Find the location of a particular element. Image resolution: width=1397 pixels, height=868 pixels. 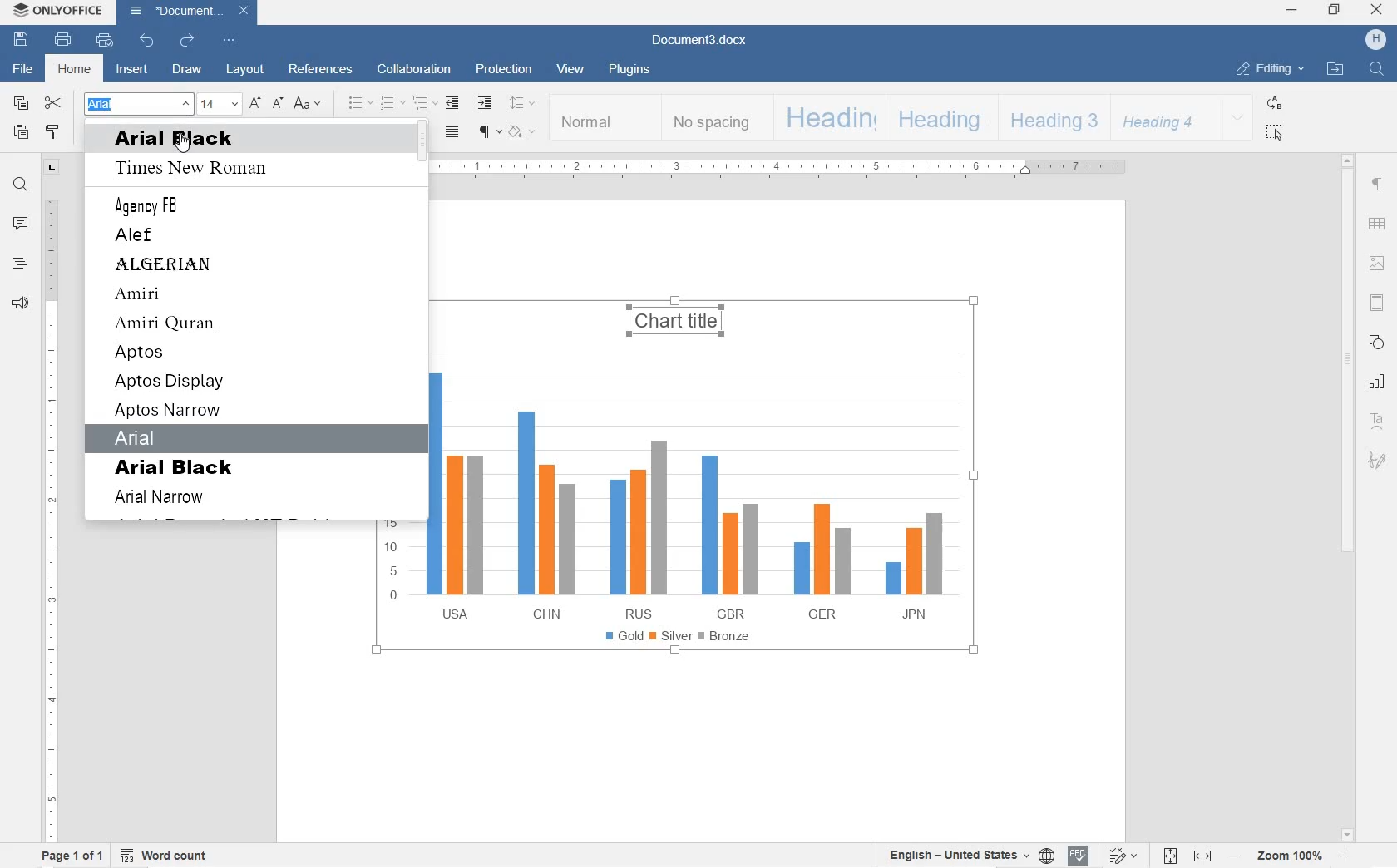

RESTORE is located at coordinates (1336, 11).